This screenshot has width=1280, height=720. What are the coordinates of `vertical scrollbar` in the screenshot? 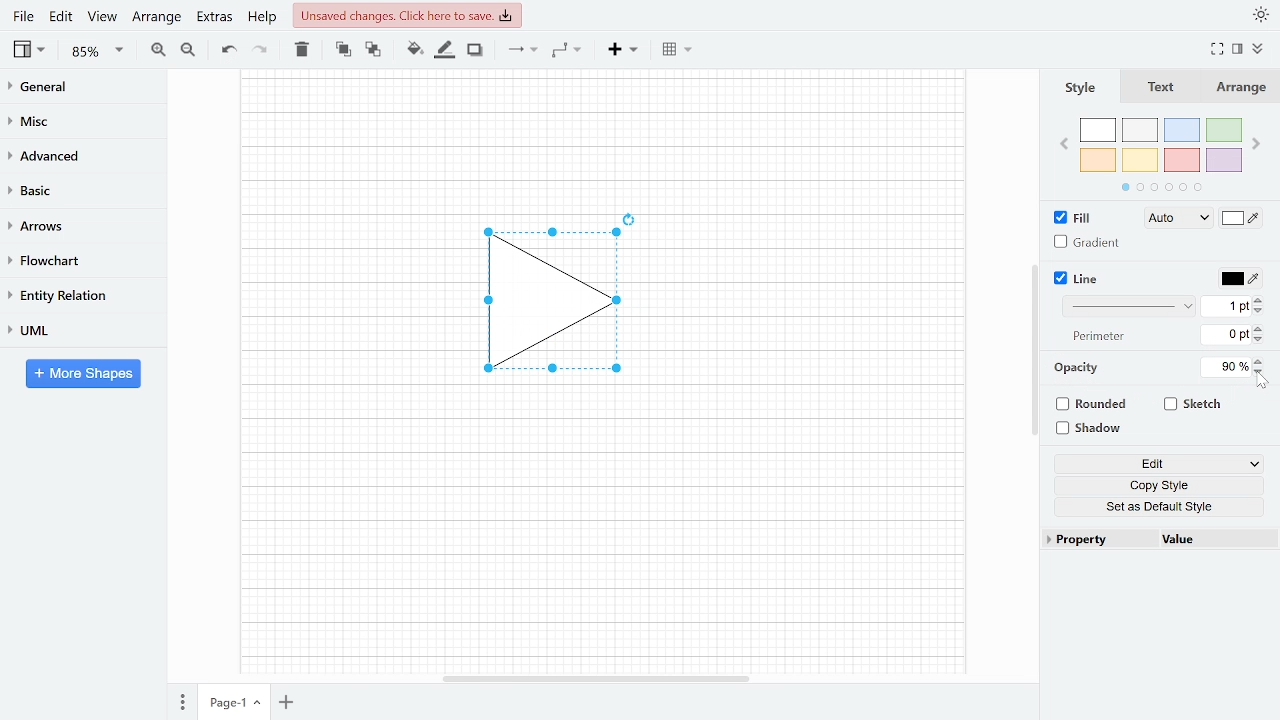 It's located at (1034, 350).